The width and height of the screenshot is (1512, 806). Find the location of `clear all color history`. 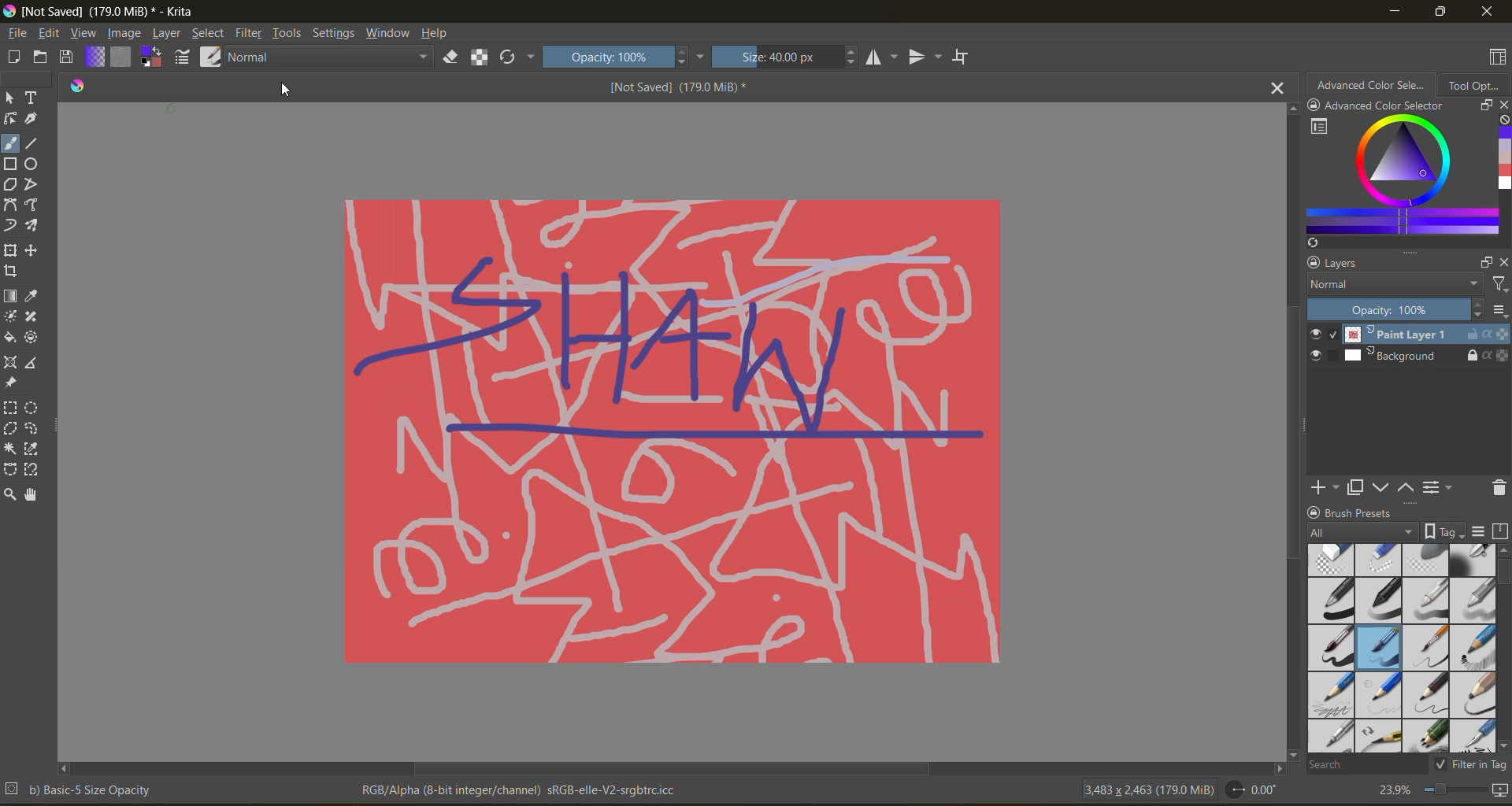

clear all color history is located at coordinates (1503, 121).